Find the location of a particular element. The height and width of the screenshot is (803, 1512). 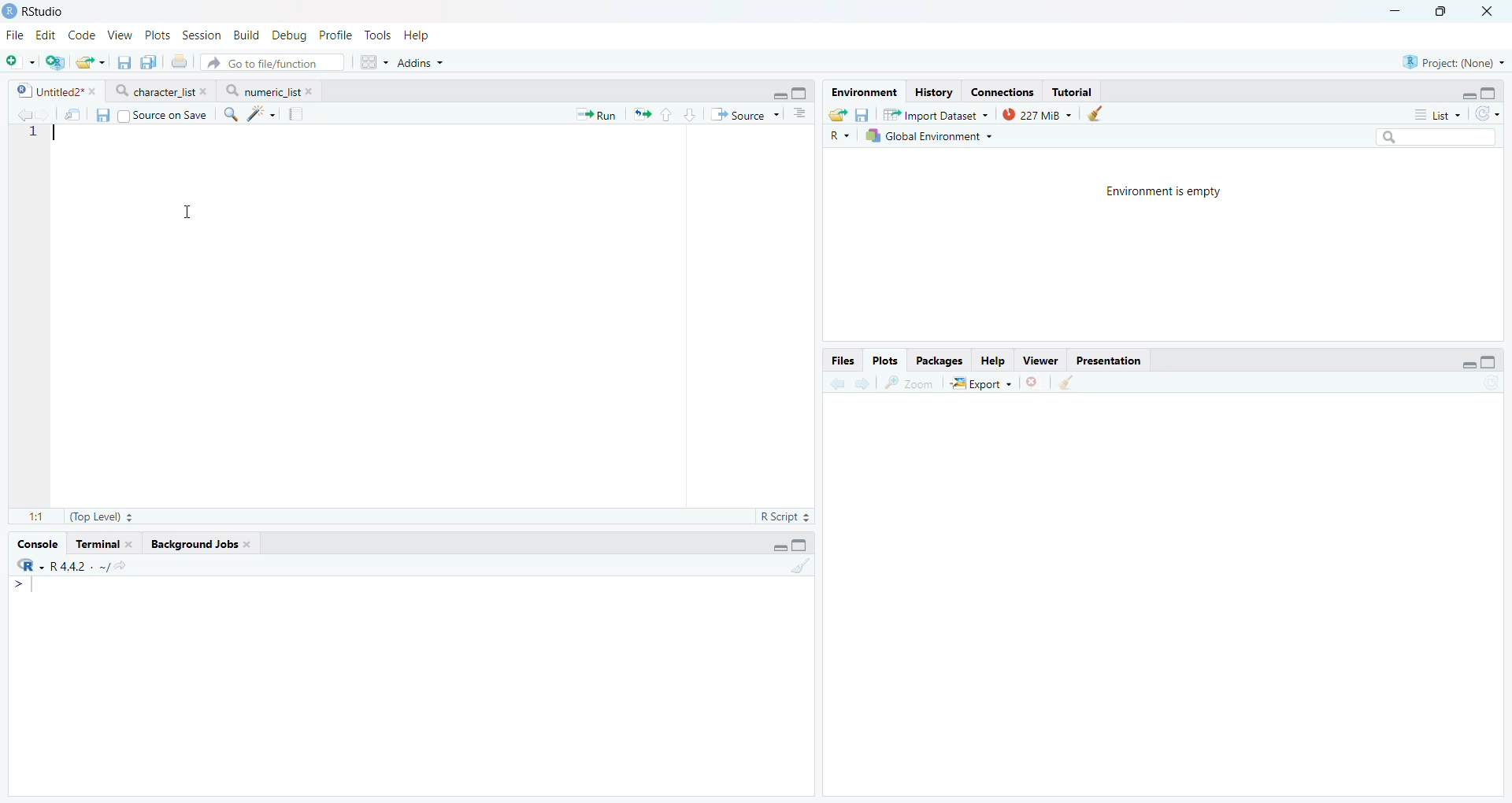

Clear is located at coordinates (800, 566).